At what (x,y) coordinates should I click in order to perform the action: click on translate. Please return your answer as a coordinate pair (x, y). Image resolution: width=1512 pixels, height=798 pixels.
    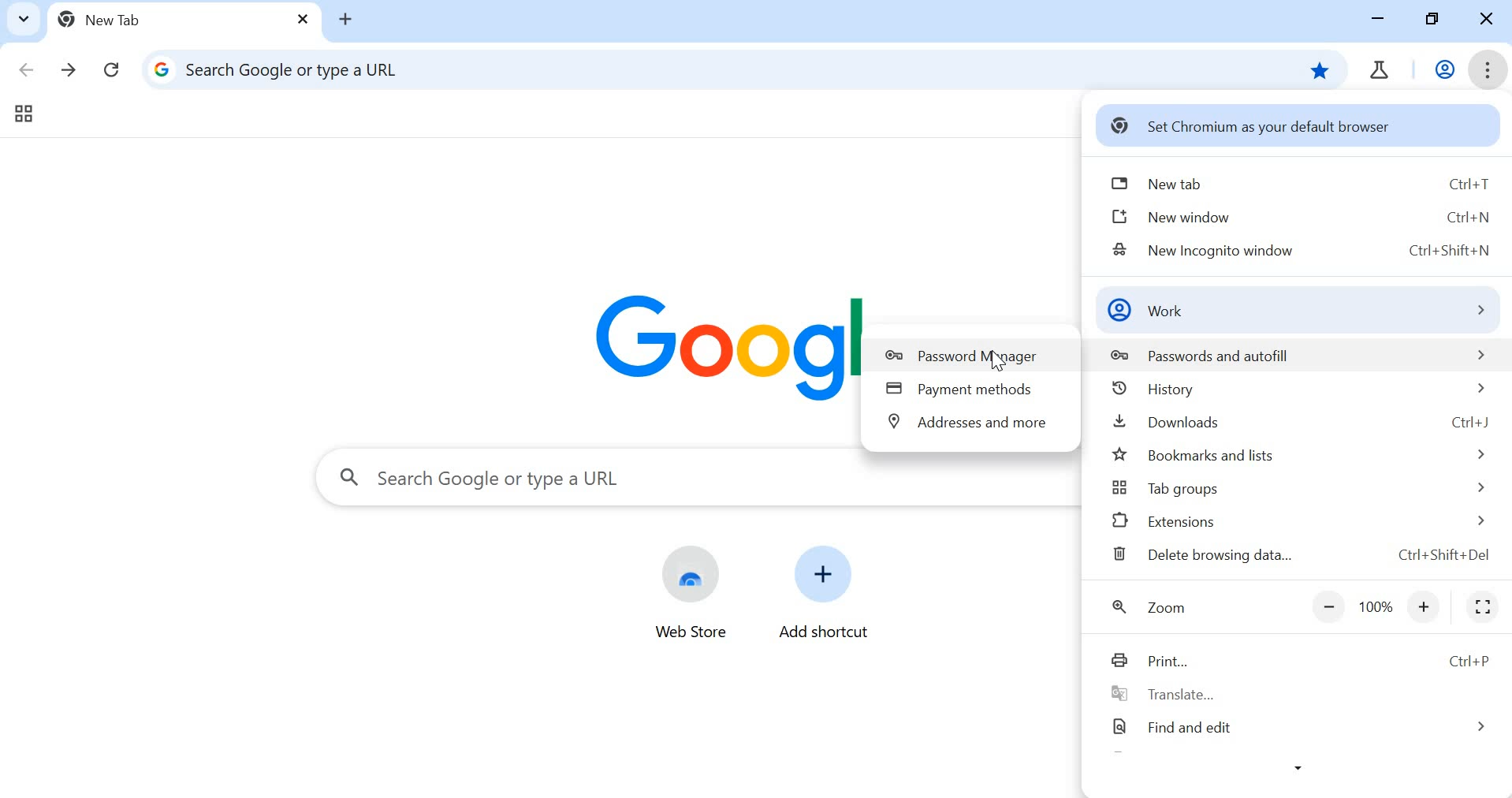
    Looking at the image, I should click on (1291, 693).